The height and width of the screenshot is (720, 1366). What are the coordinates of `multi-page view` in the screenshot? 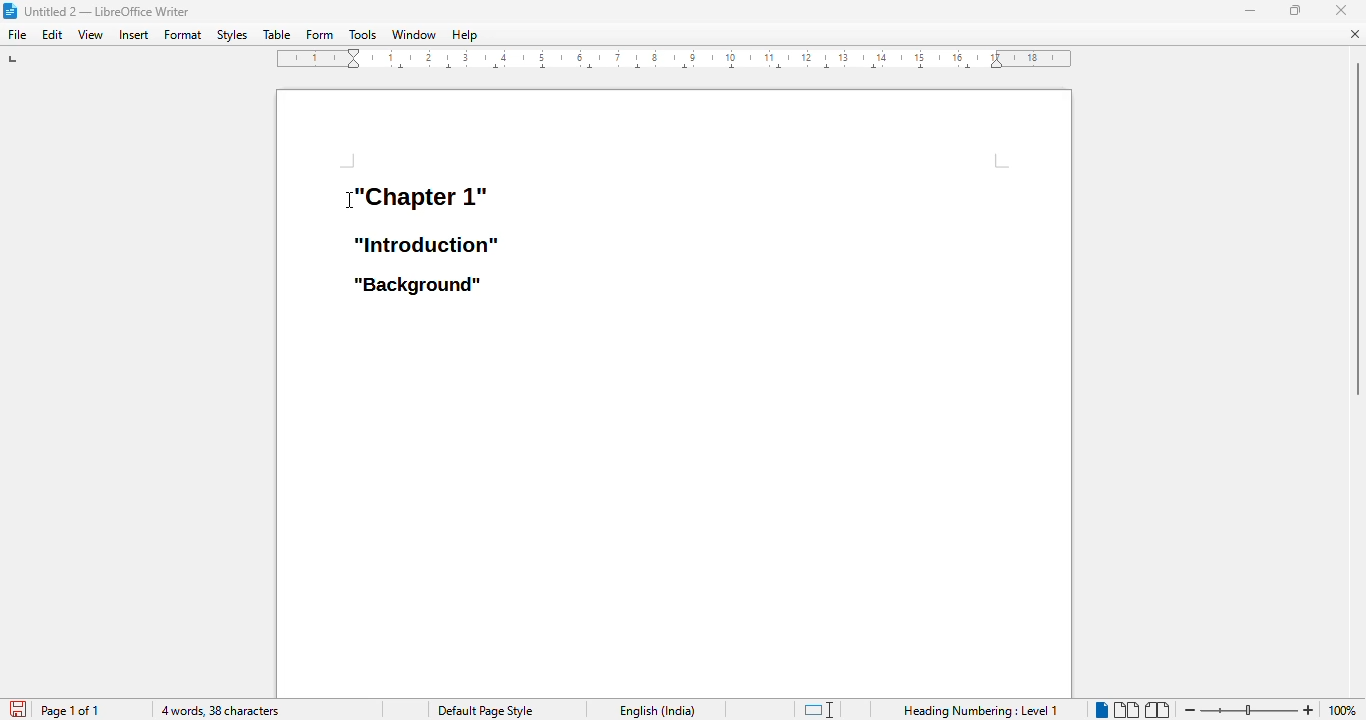 It's located at (1125, 709).